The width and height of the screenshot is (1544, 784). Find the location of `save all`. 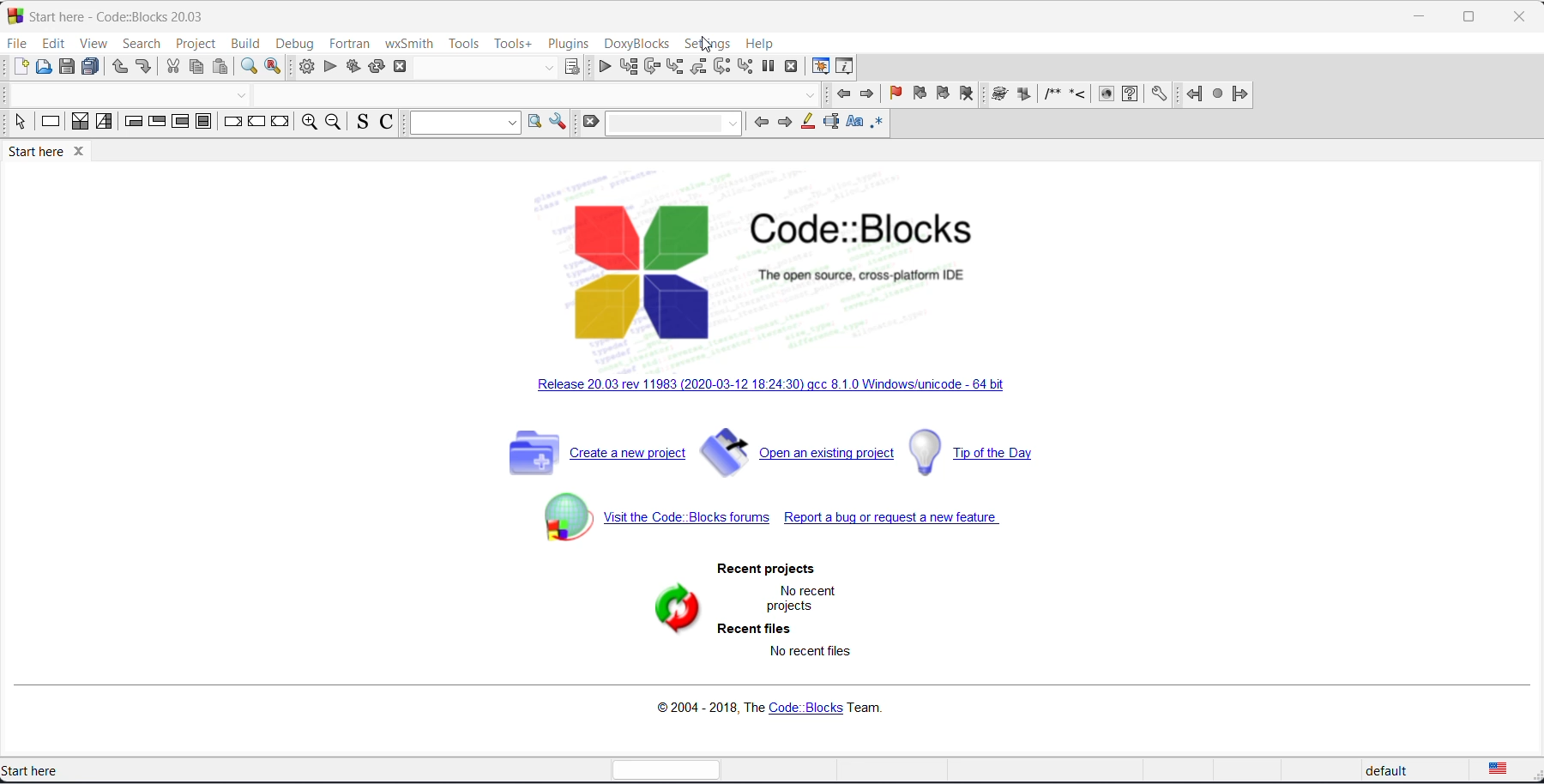

save all is located at coordinates (90, 68).